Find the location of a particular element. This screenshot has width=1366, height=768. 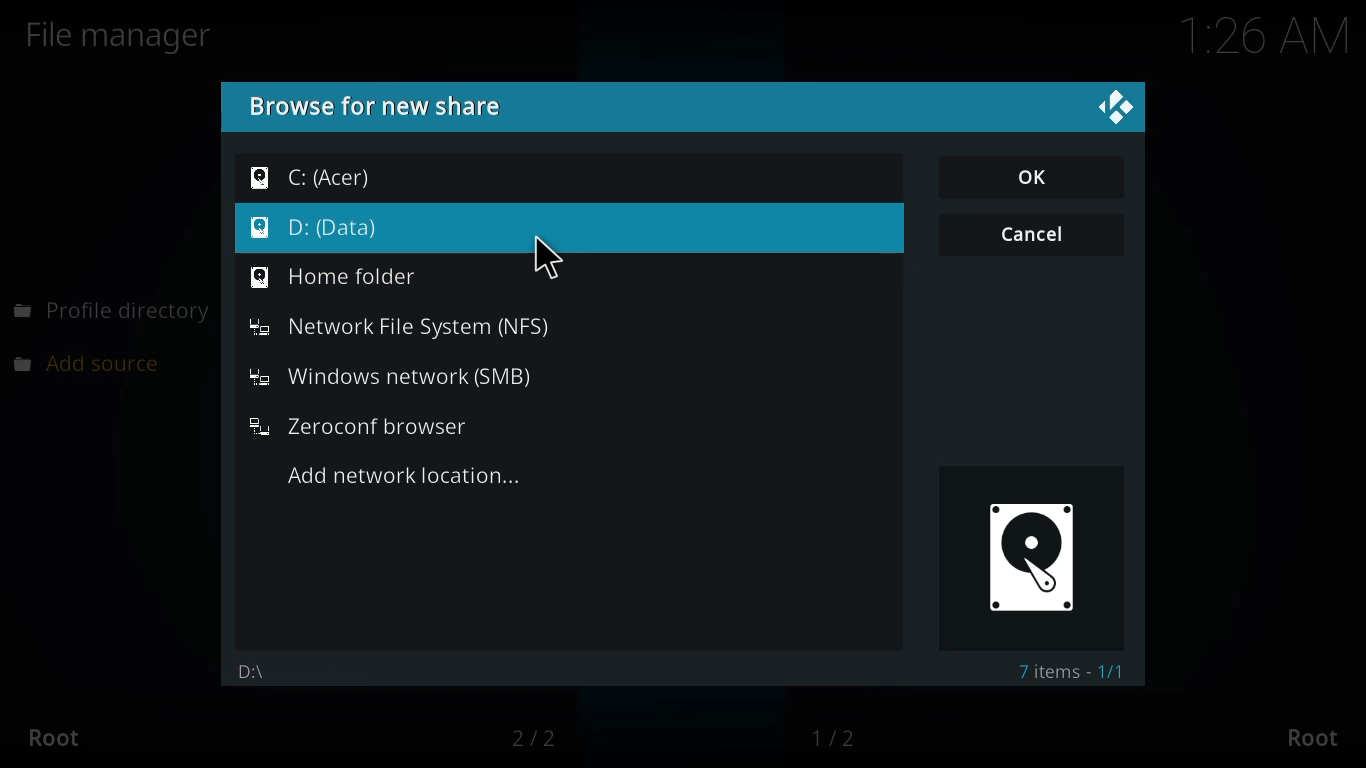

cancel is located at coordinates (1033, 237).